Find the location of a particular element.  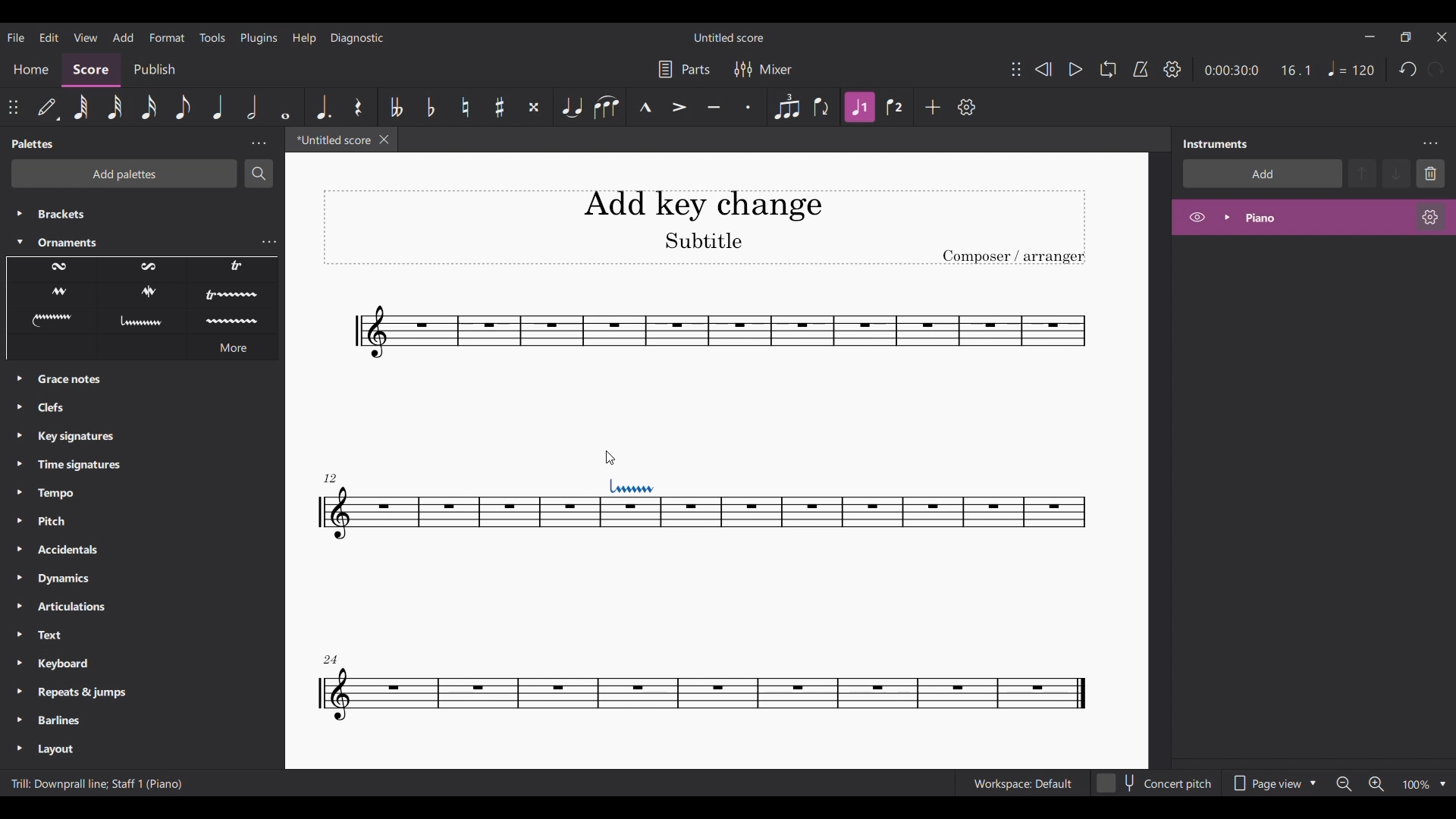

Toggle double sharp is located at coordinates (534, 106).